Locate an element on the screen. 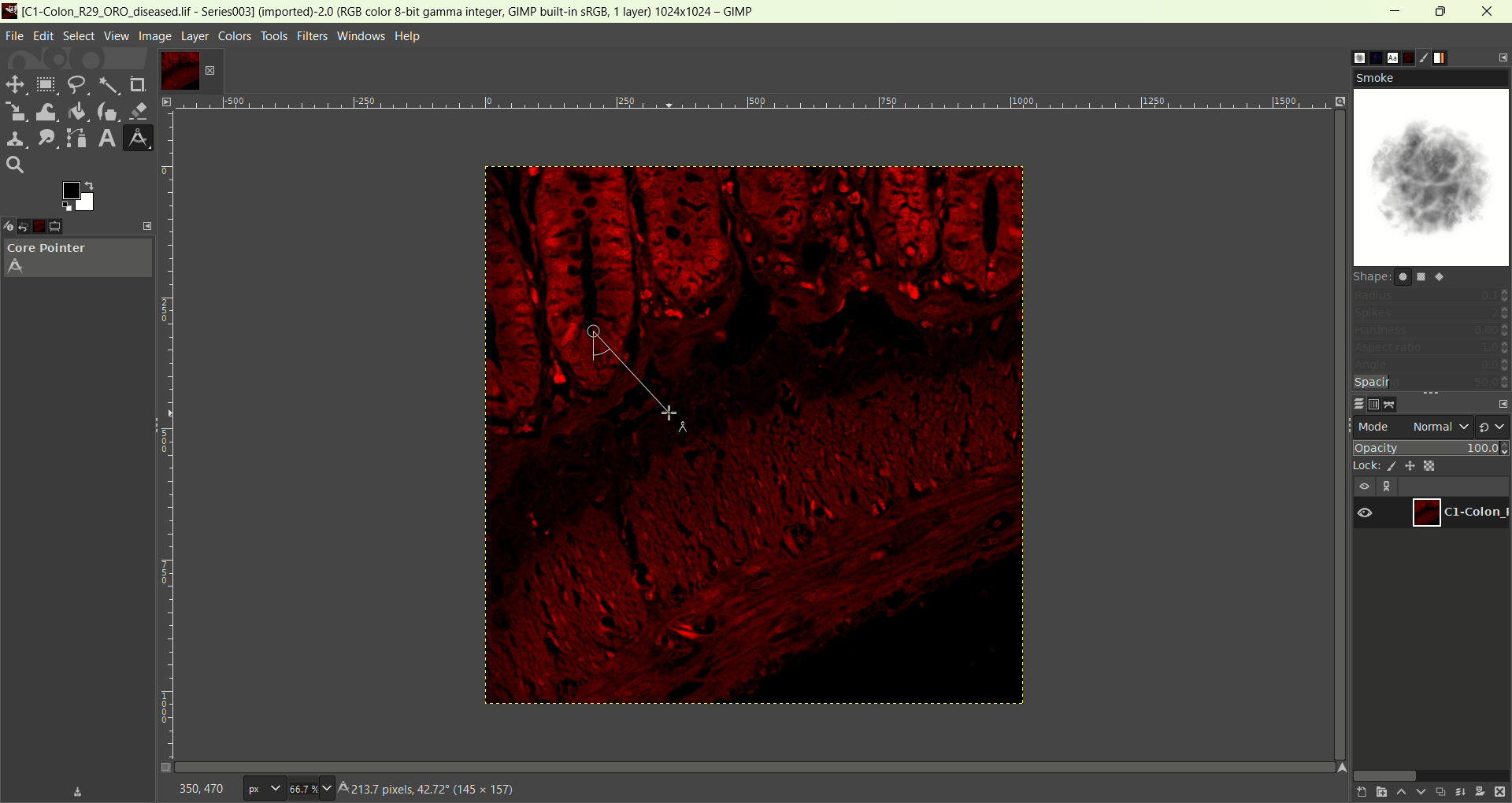  Click-Drag t create a line is located at coordinates (418, 790).